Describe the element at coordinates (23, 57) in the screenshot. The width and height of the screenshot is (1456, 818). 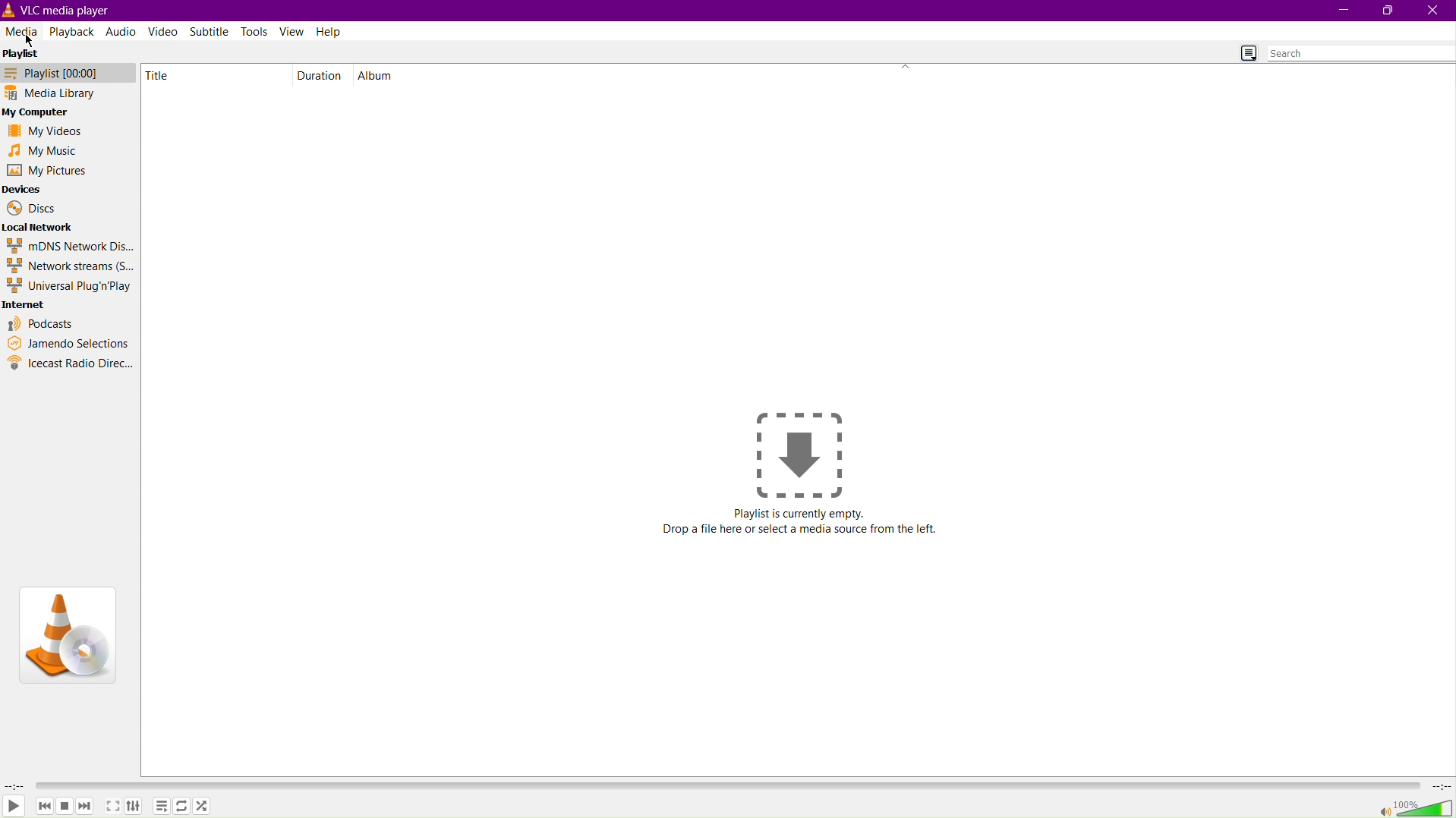
I see `Playlist` at that location.